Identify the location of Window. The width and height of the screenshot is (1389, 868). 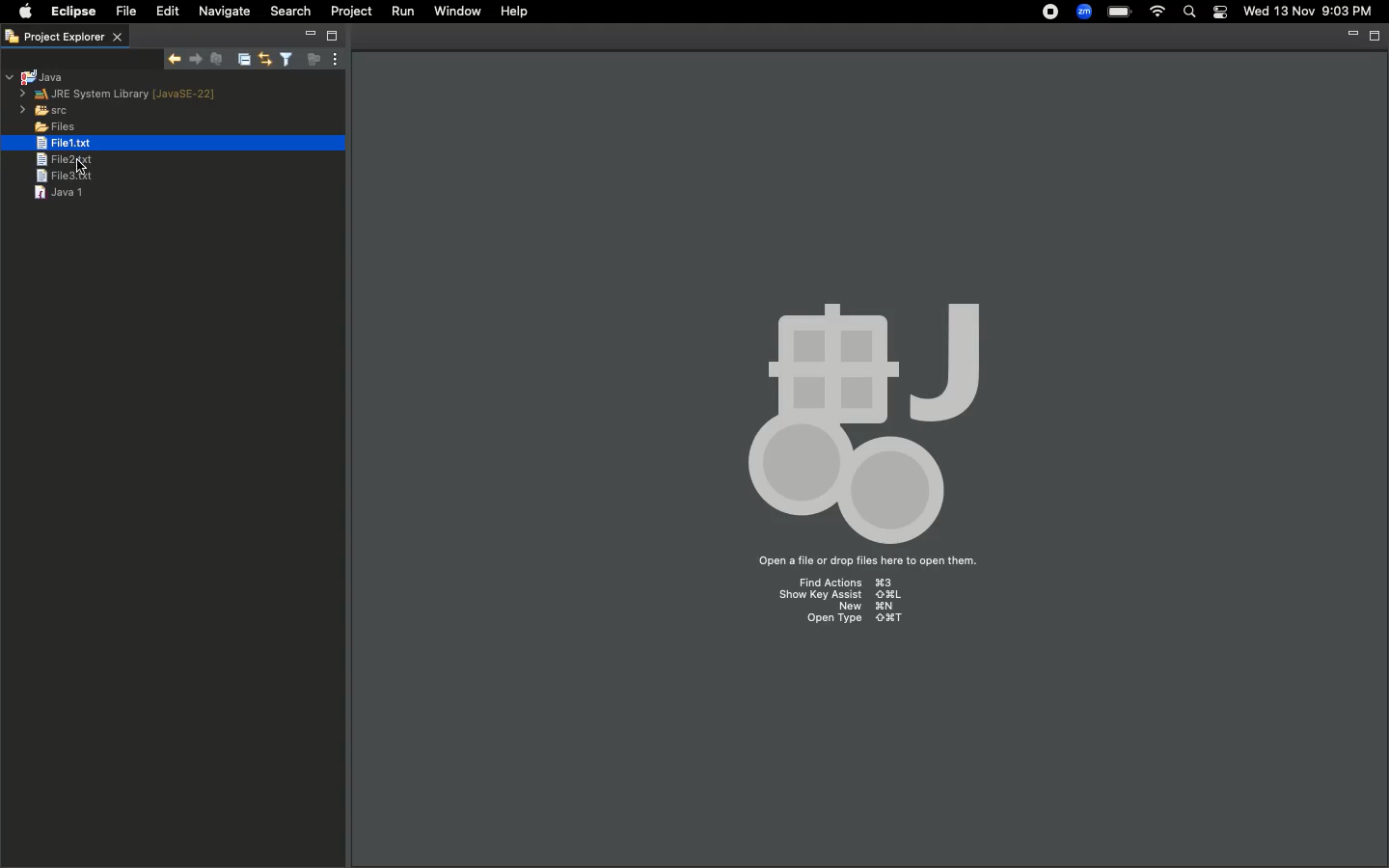
(459, 11).